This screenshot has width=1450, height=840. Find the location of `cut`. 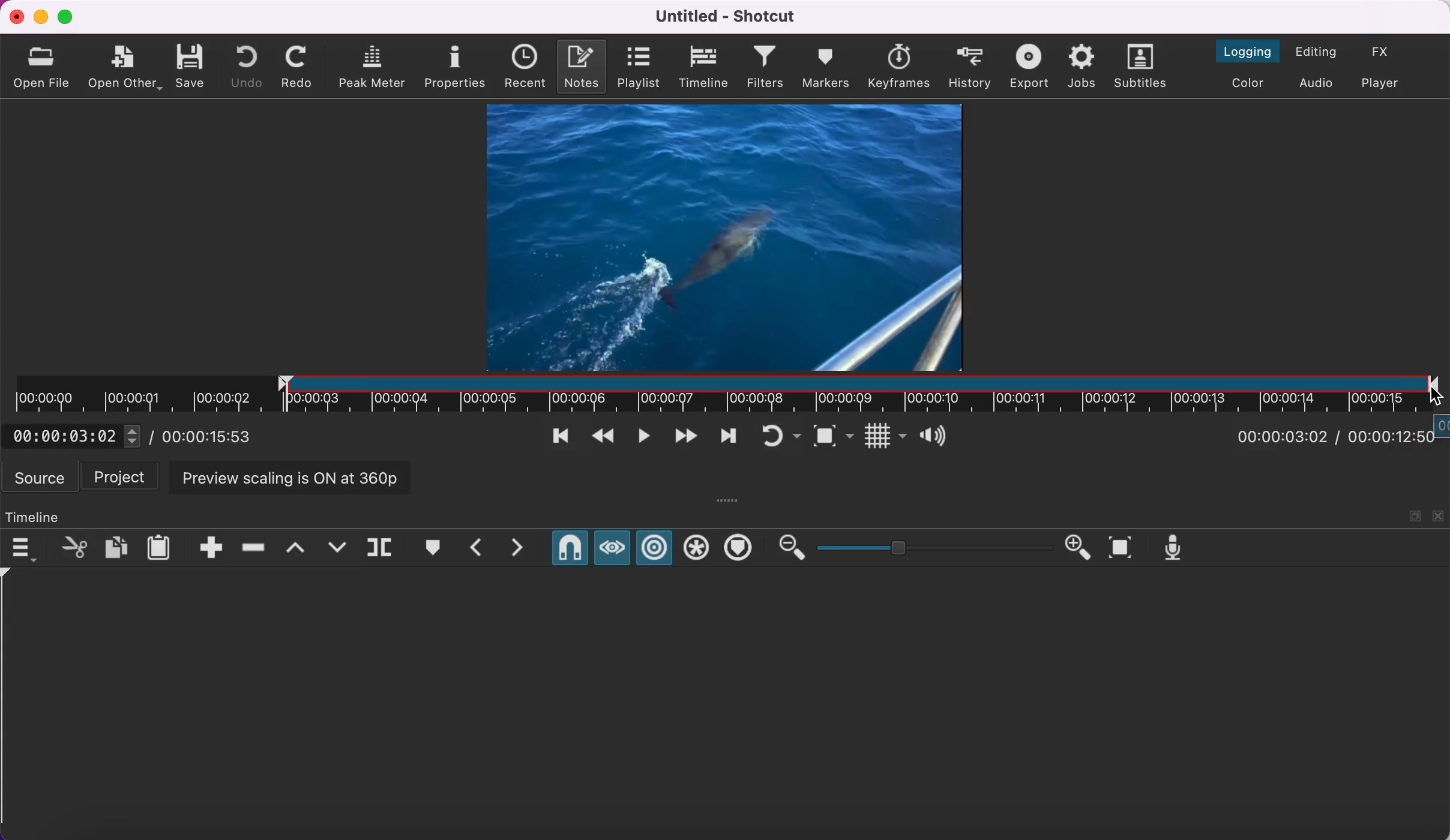

cut is located at coordinates (71, 545).